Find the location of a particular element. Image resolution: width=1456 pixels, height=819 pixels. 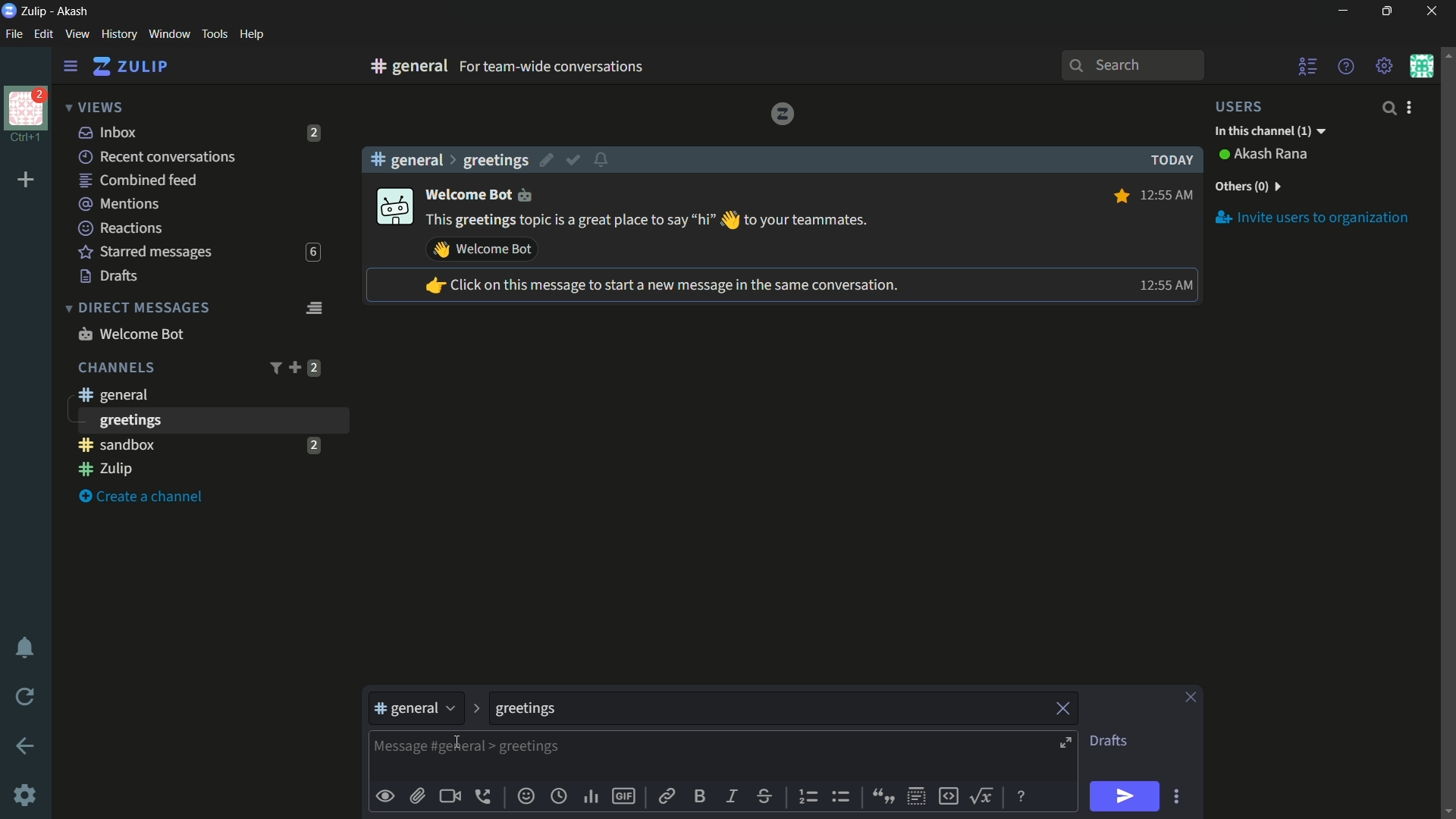

12: 55 AM is located at coordinates (1169, 193).